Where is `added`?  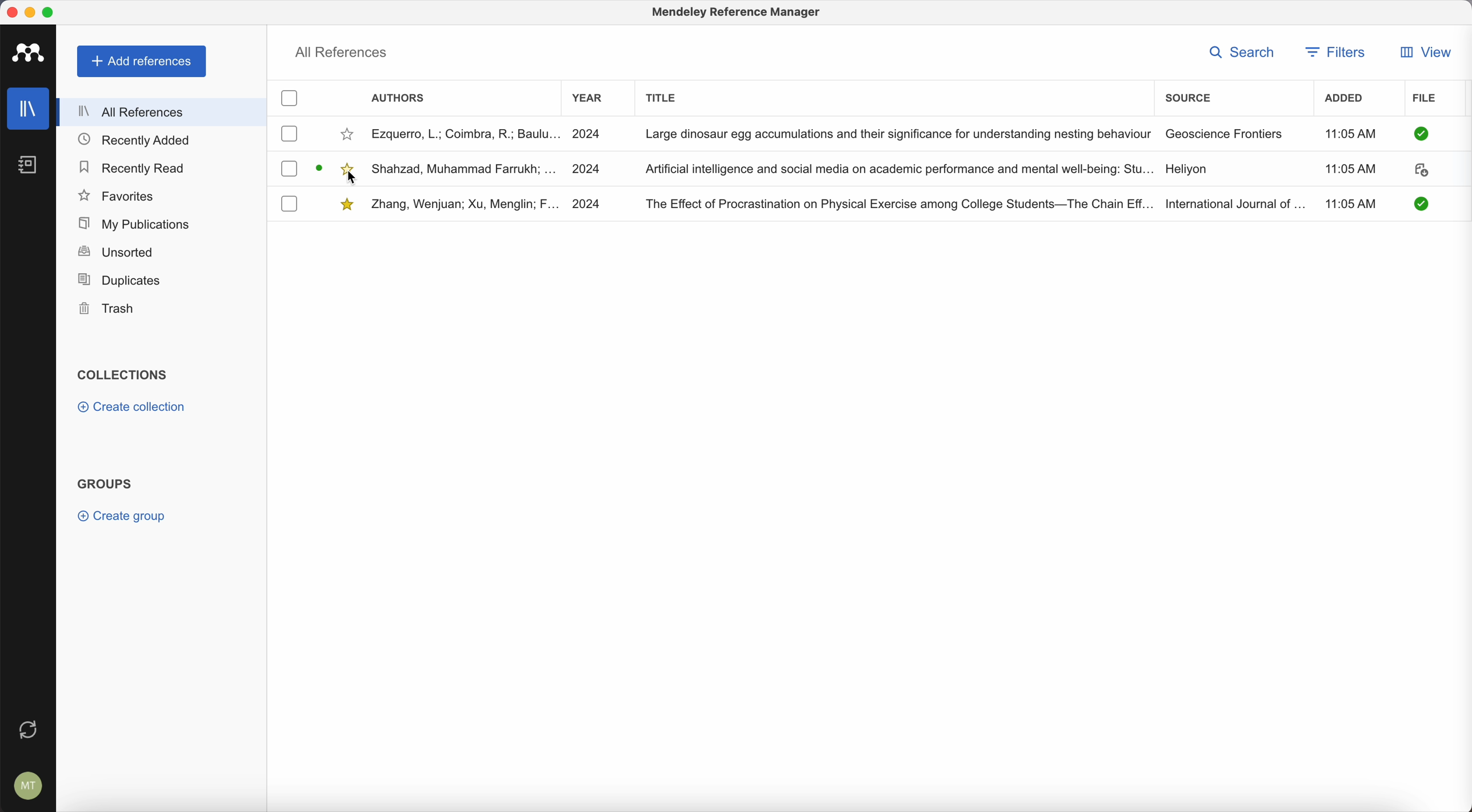 added is located at coordinates (1349, 100).